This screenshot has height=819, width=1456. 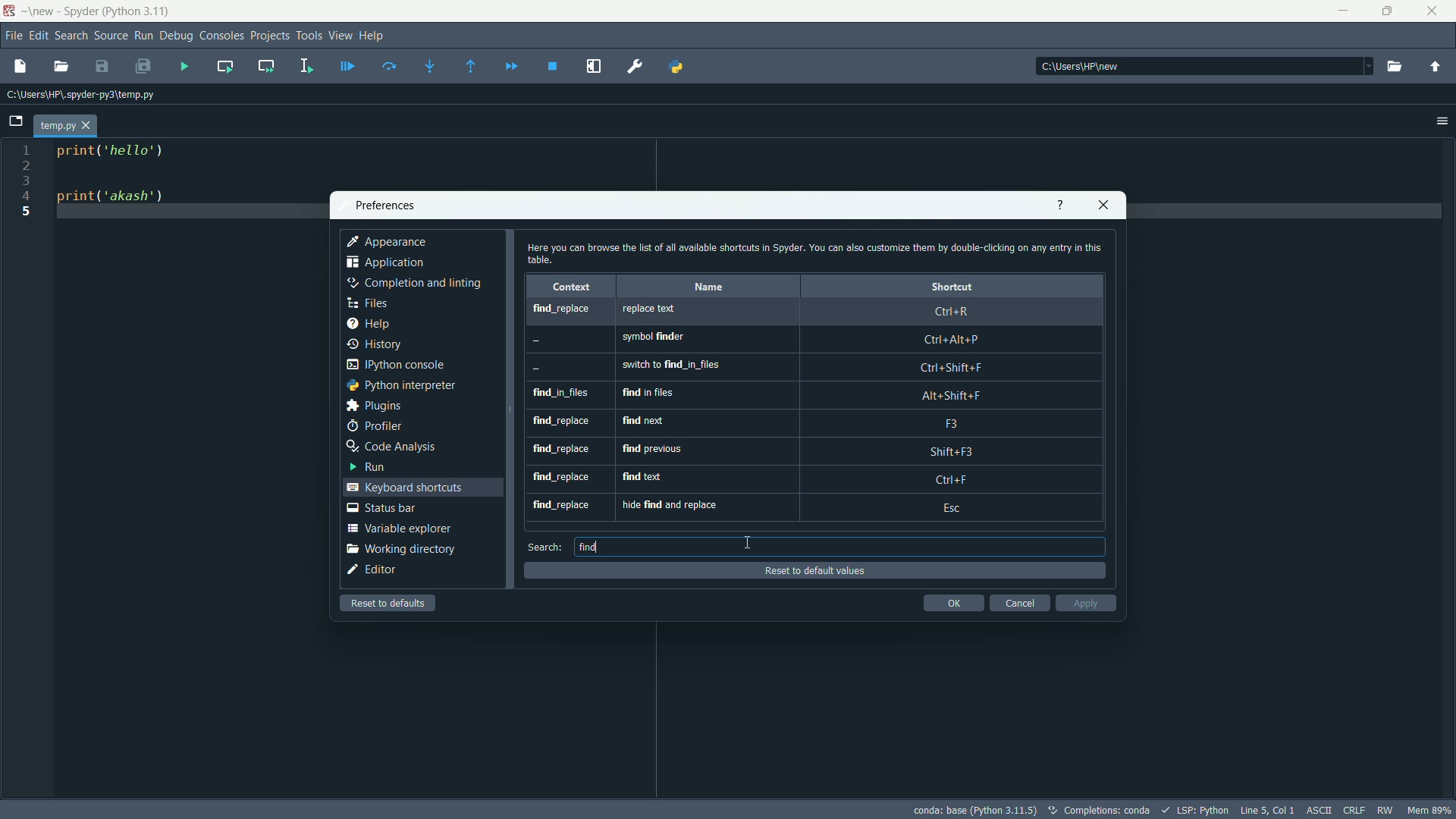 What do you see at coordinates (1097, 811) in the screenshot?
I see `completions:conda` at bounding box center [1097, 811].